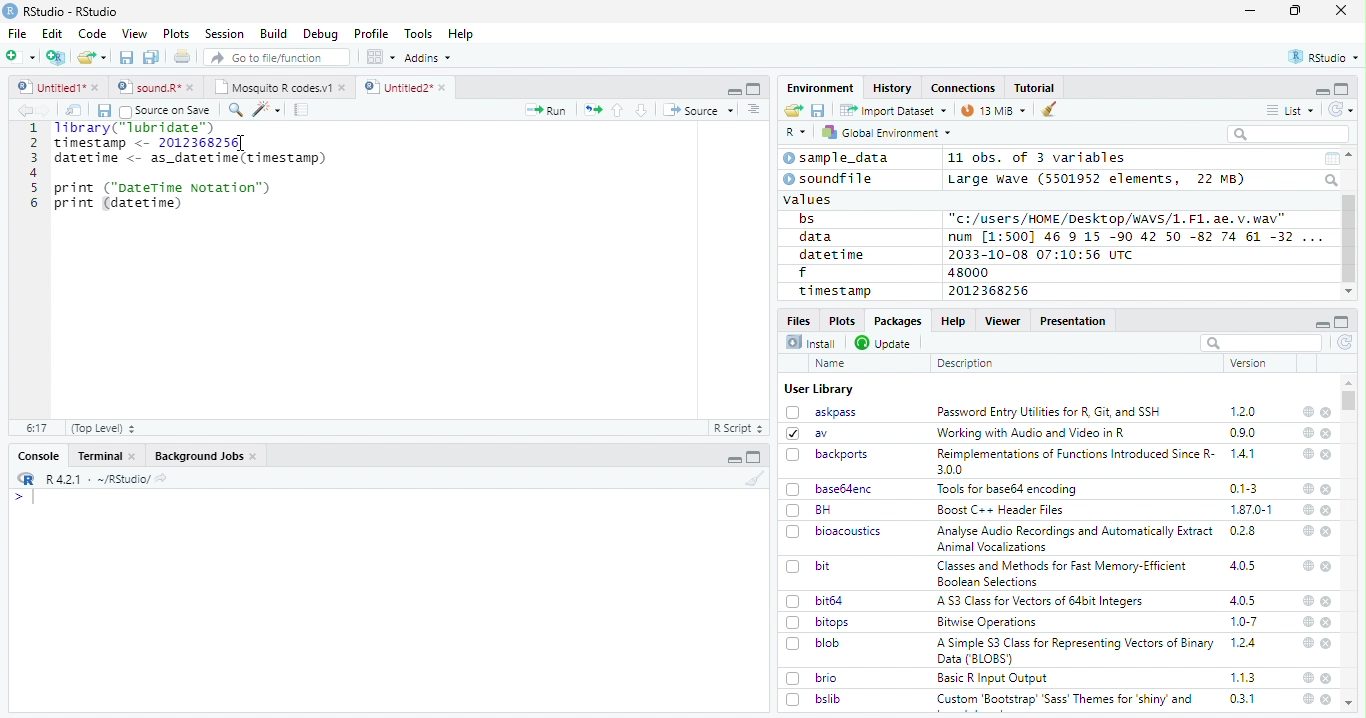 This screenshot has height=718, width=1366. Describe the element at coordinates (1325, 58) in the screenshot. I see `RStudio` at that location.